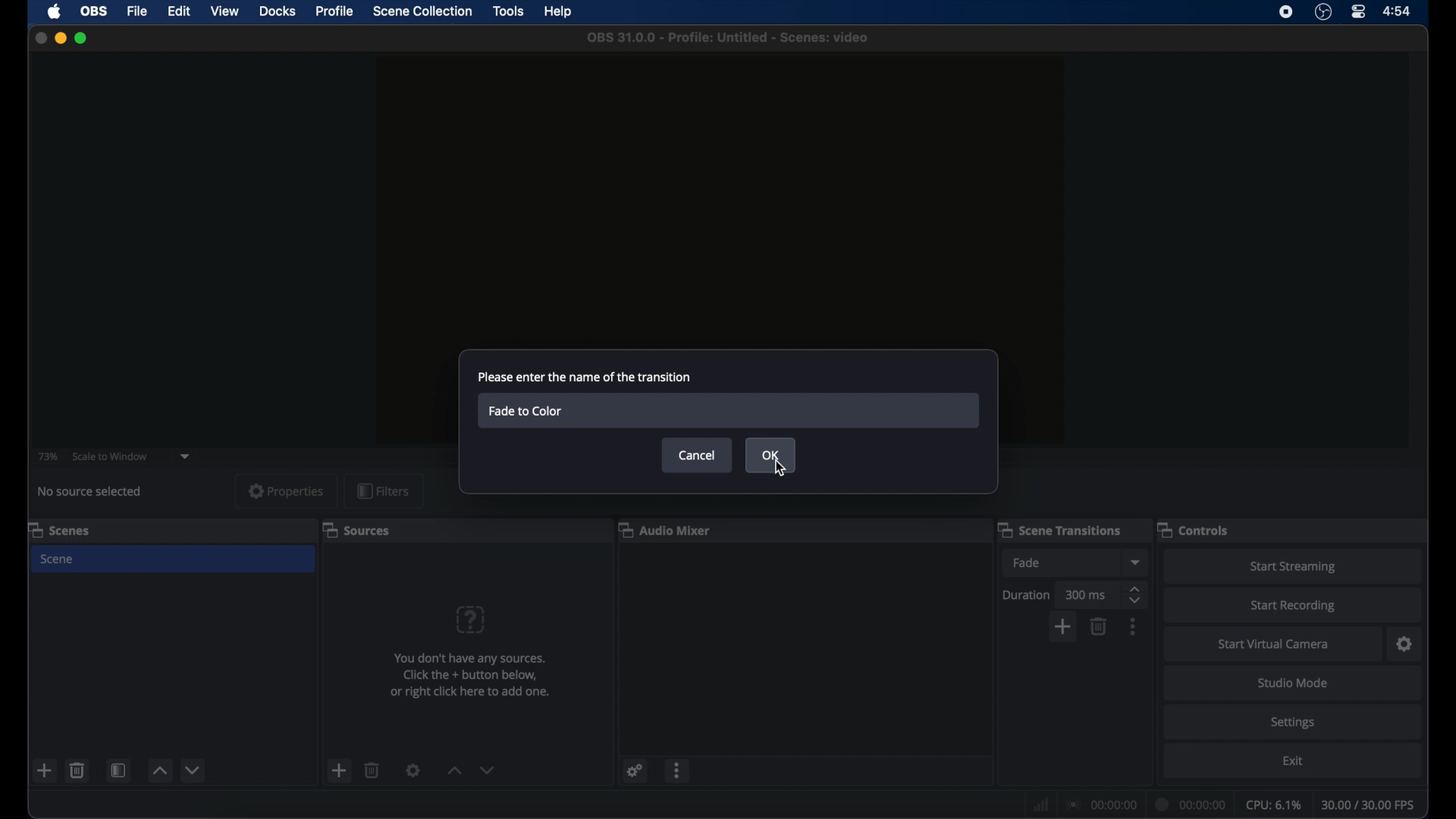  What do you see at coordinates (382, 491) in the screenshot?
I see `filters` at bounding box center [382, 491].